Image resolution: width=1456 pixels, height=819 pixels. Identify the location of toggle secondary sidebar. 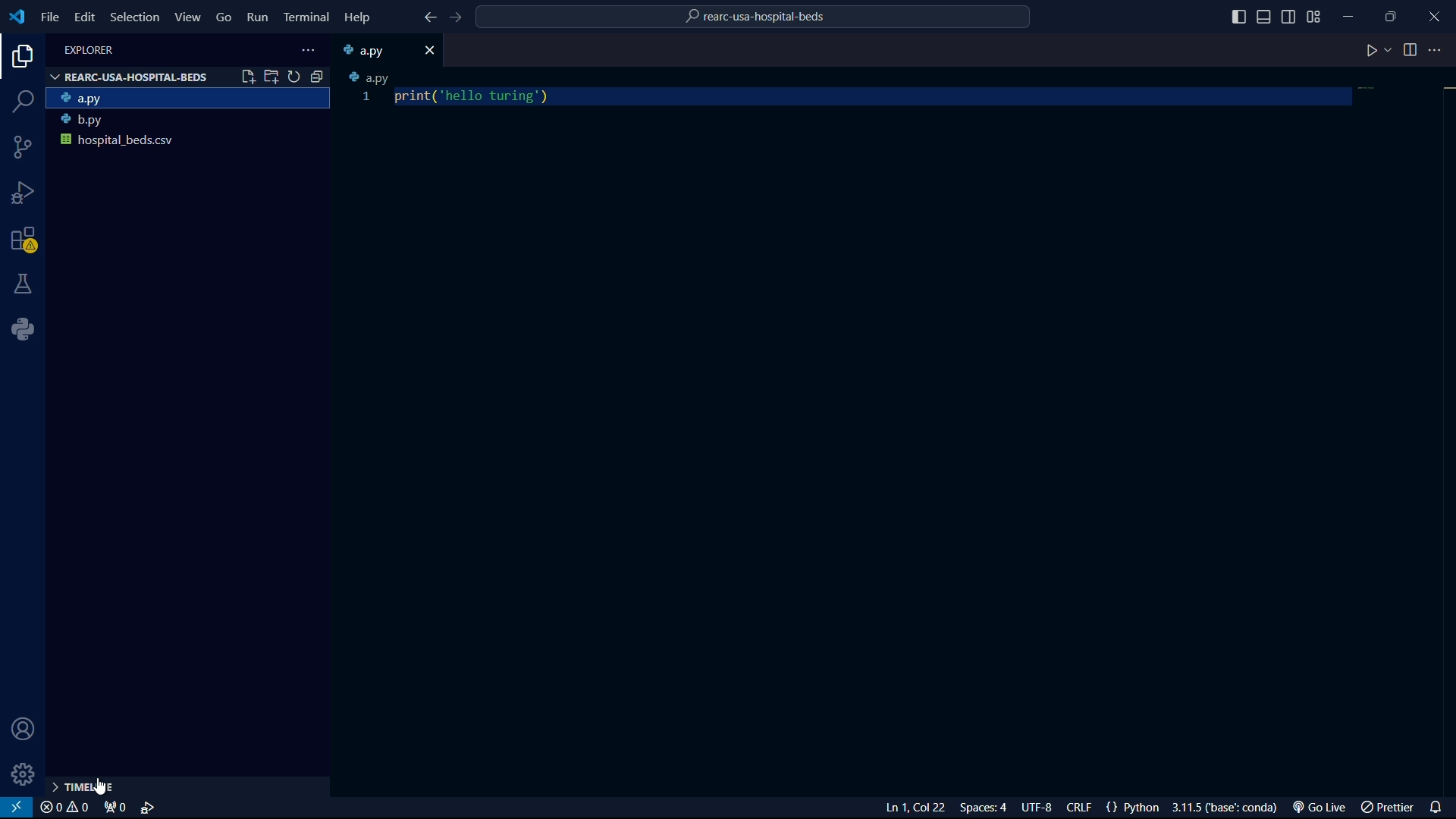
(1289, 16).